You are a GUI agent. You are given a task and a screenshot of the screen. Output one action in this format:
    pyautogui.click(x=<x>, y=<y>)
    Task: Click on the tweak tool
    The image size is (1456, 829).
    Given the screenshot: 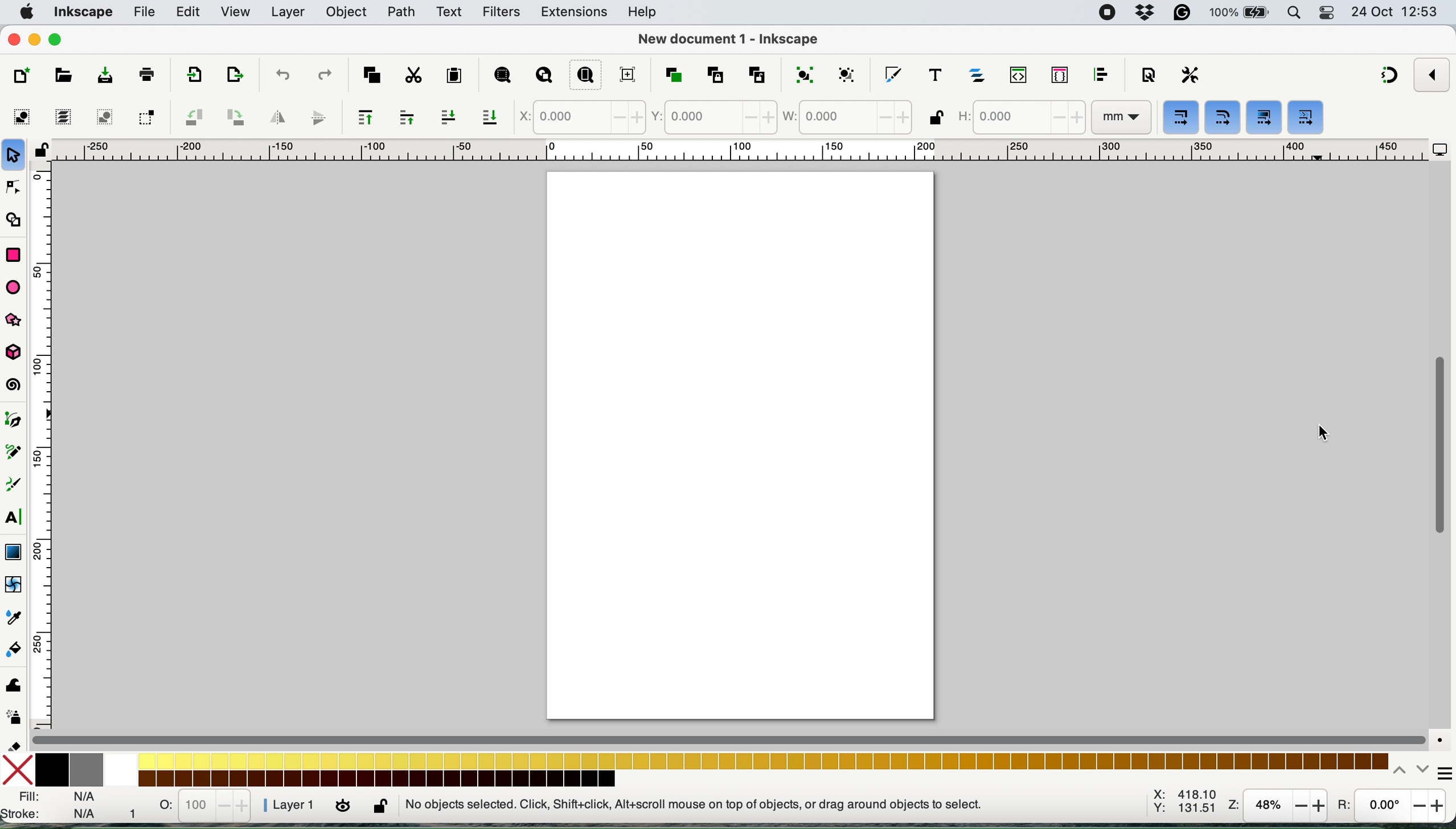 What is the action you would take?
    pyautogui.click(x=13, y=689)
    